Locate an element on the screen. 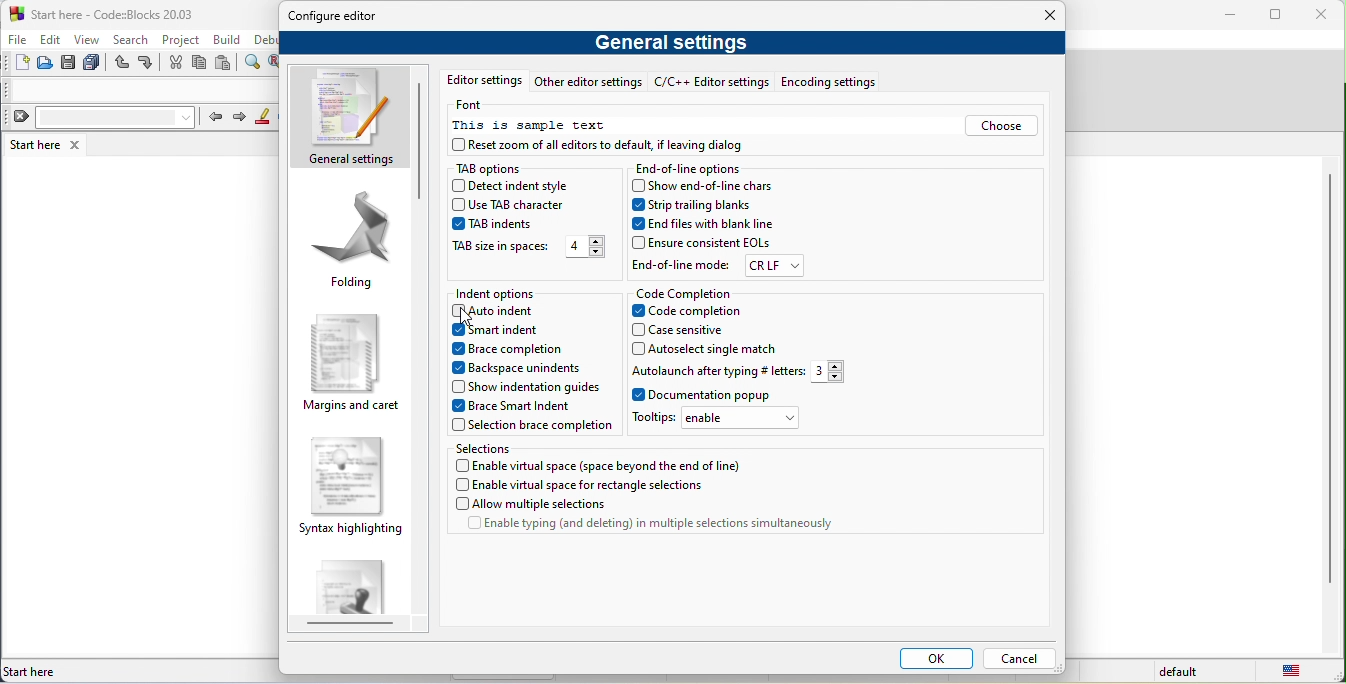 Image resolution: width=1346 pixels, height=684 pixels. debug is located at coordinates (265, 41).